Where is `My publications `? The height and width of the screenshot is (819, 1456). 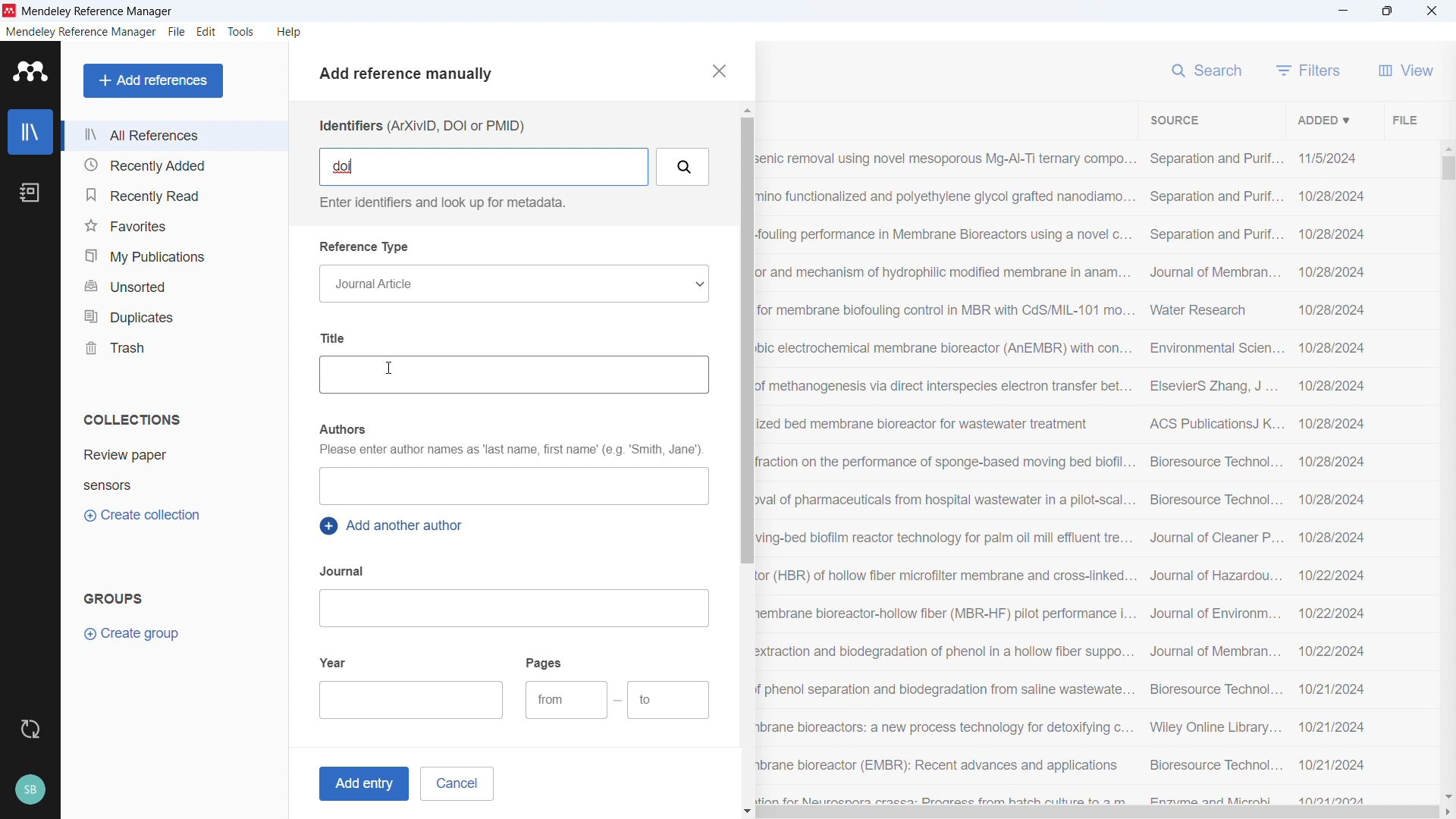
My publications  is located at coordinates (172, 256).